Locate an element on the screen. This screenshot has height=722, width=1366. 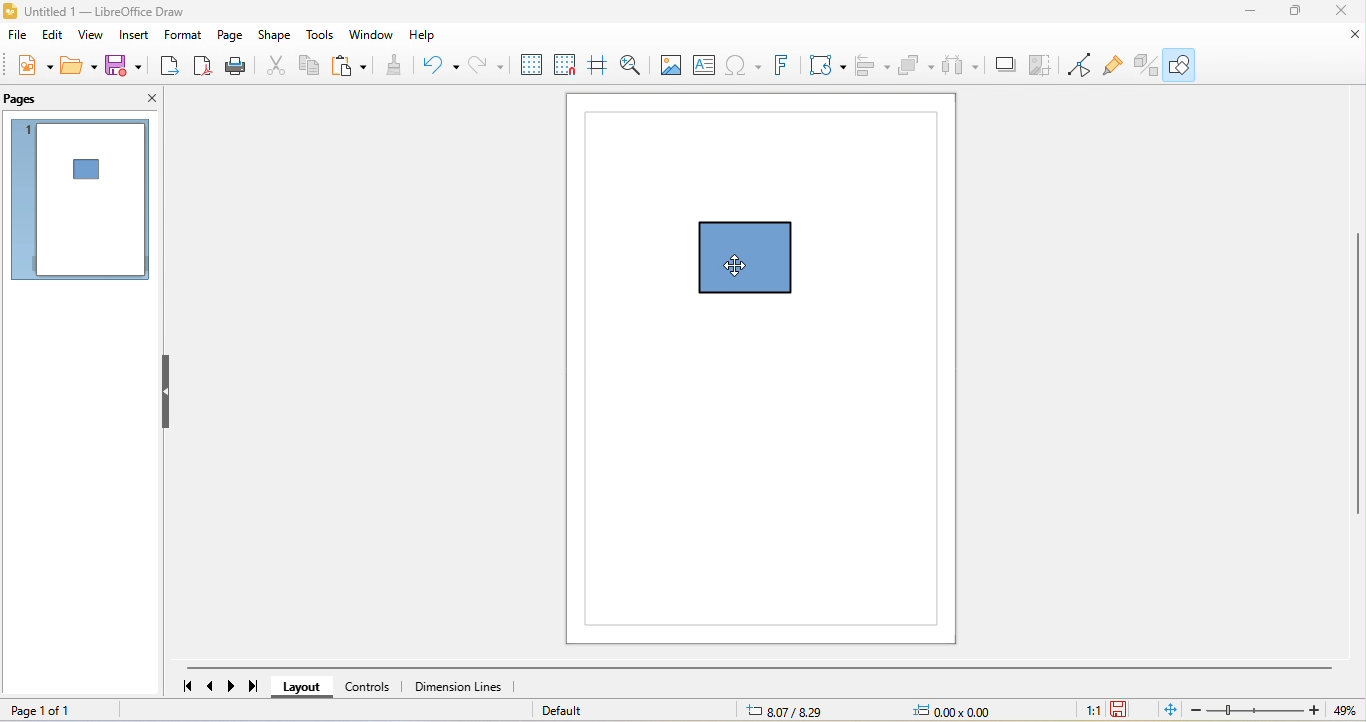
file is located at coordinates (20, 36).